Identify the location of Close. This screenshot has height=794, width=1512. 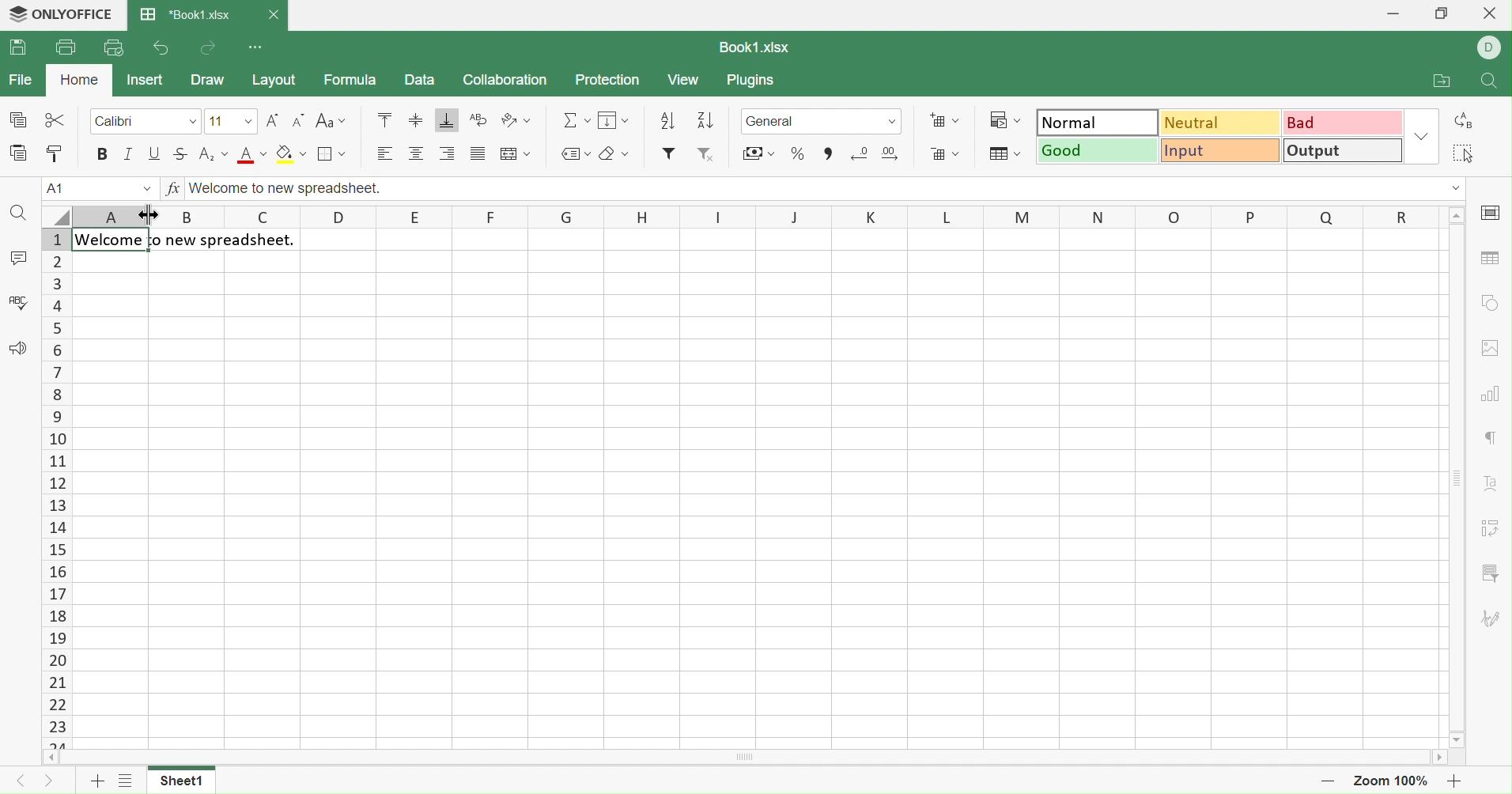
(275, 13).